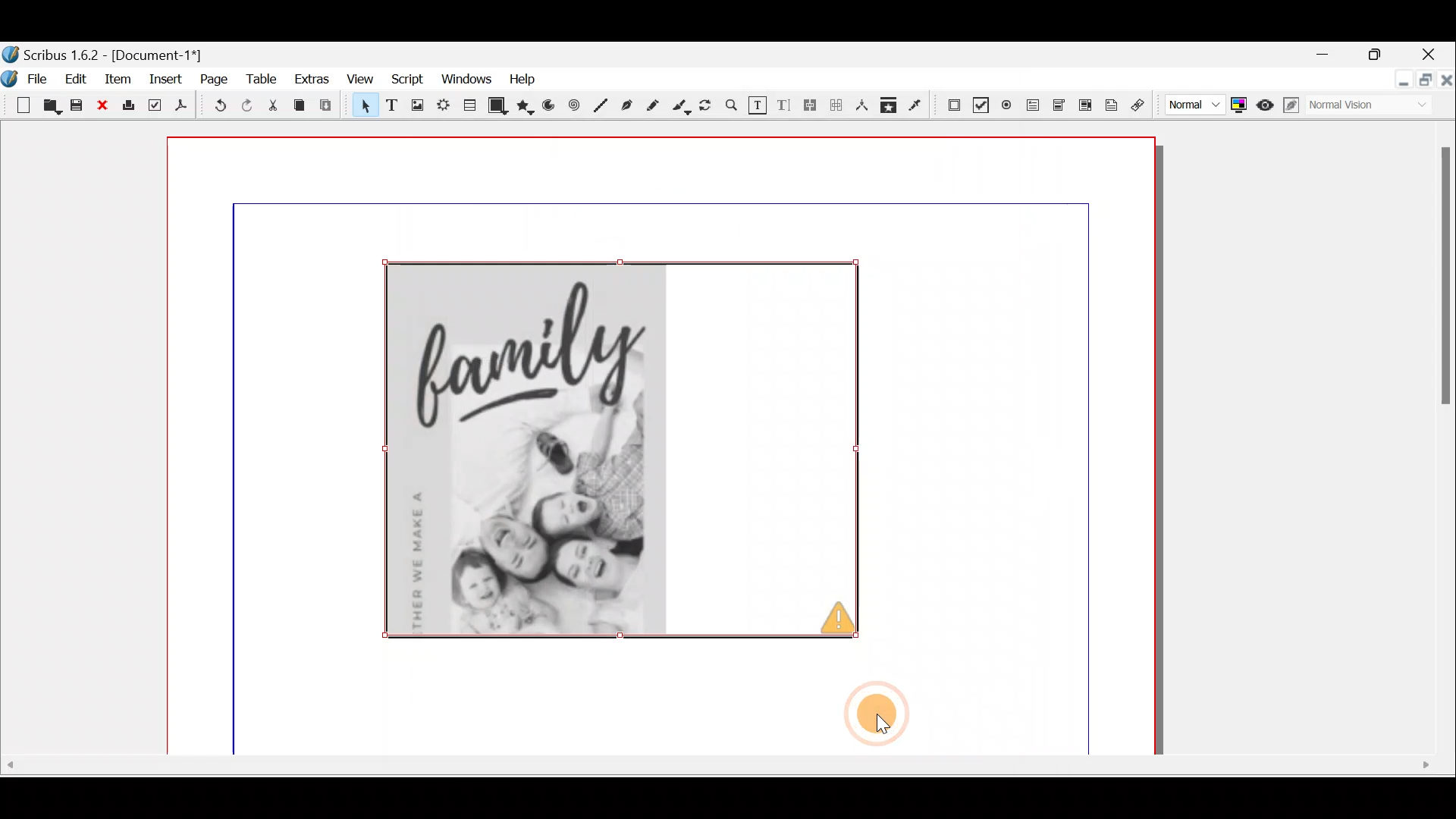 Image resolution: width=1456 pixels, height=819 pixels. Describe the element at coordinates (501, 108) in the screenshot. I see `Shape` at that location.